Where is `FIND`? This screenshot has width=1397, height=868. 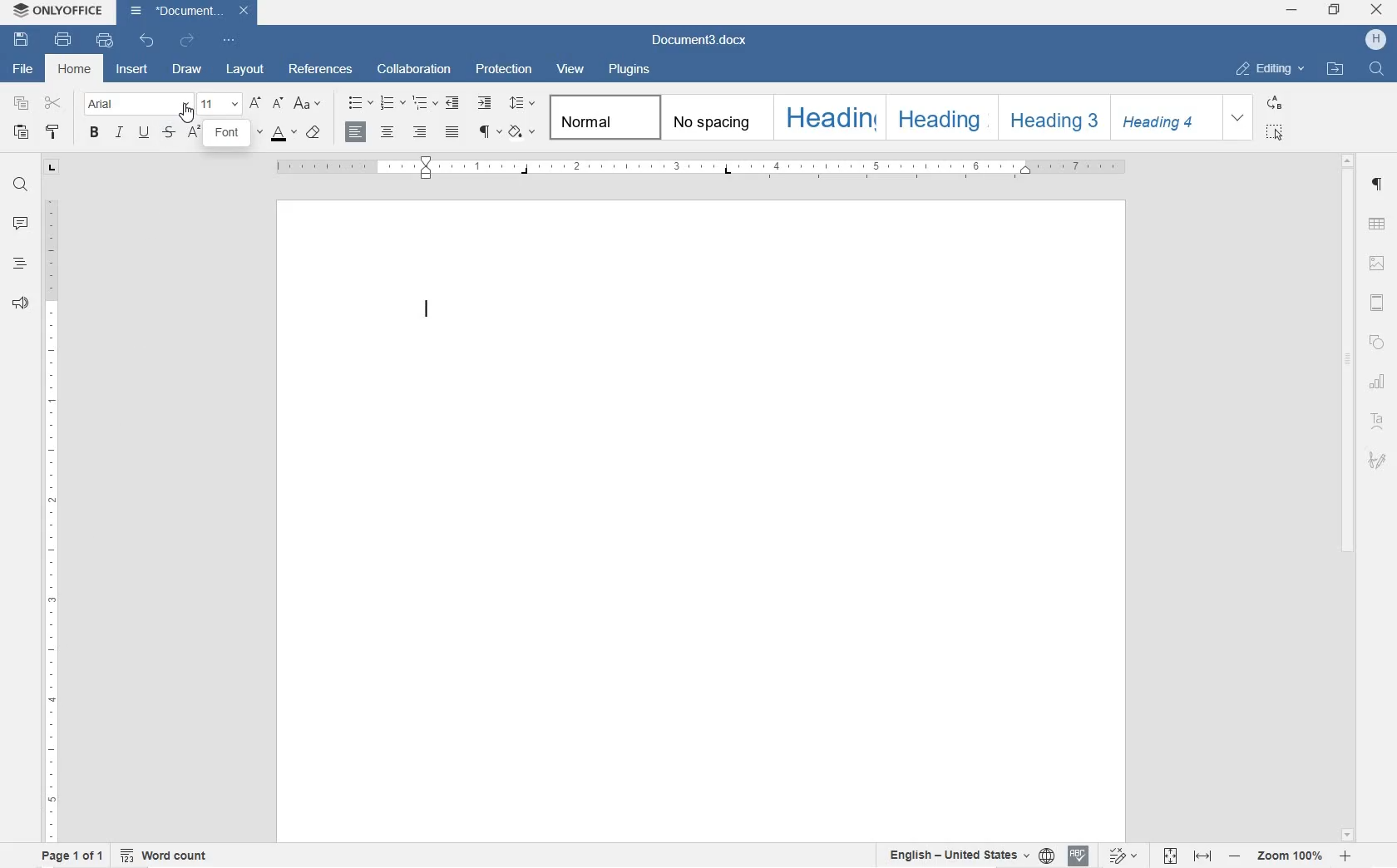
FIND is located at coordinates (1376, 68).